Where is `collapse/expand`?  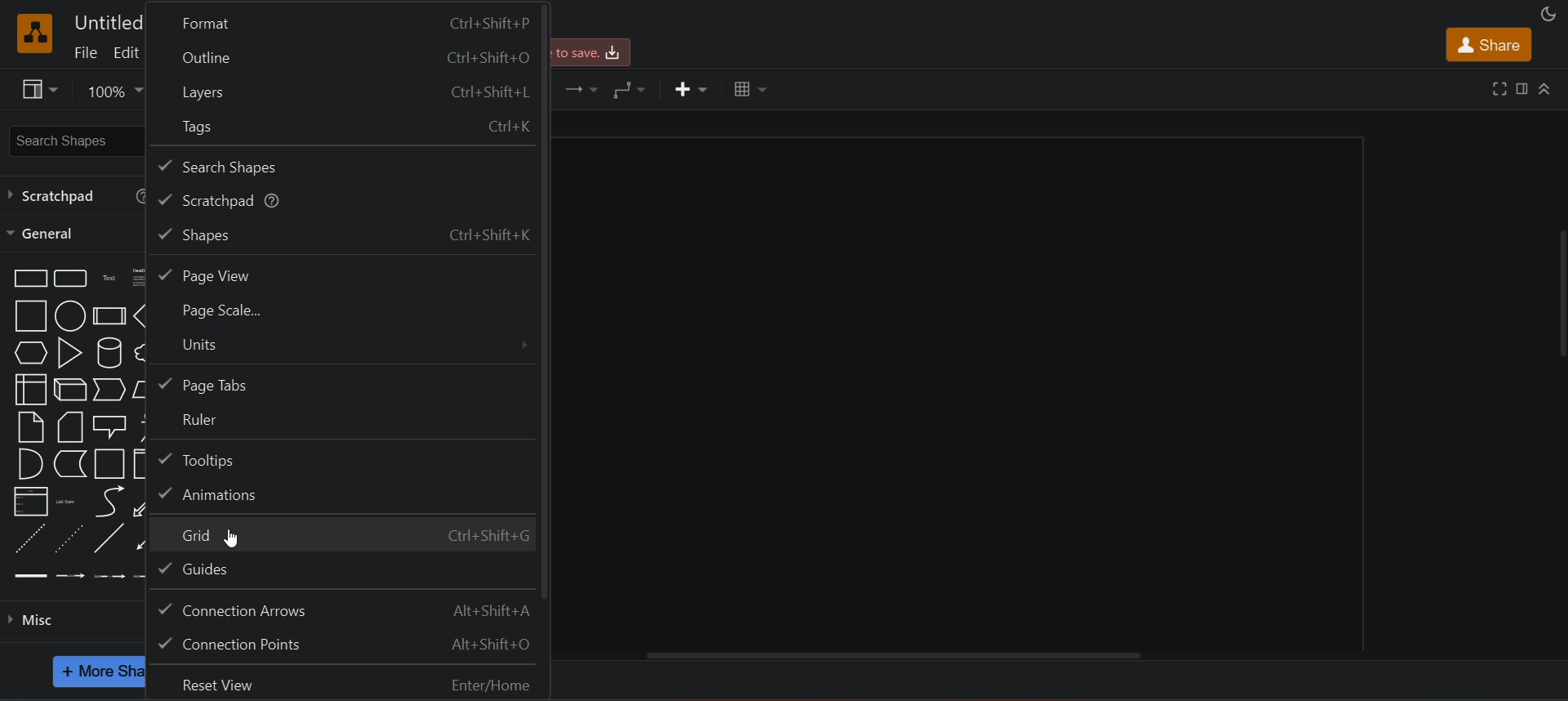
collapse/expand is located at coordinates (1544, 89).